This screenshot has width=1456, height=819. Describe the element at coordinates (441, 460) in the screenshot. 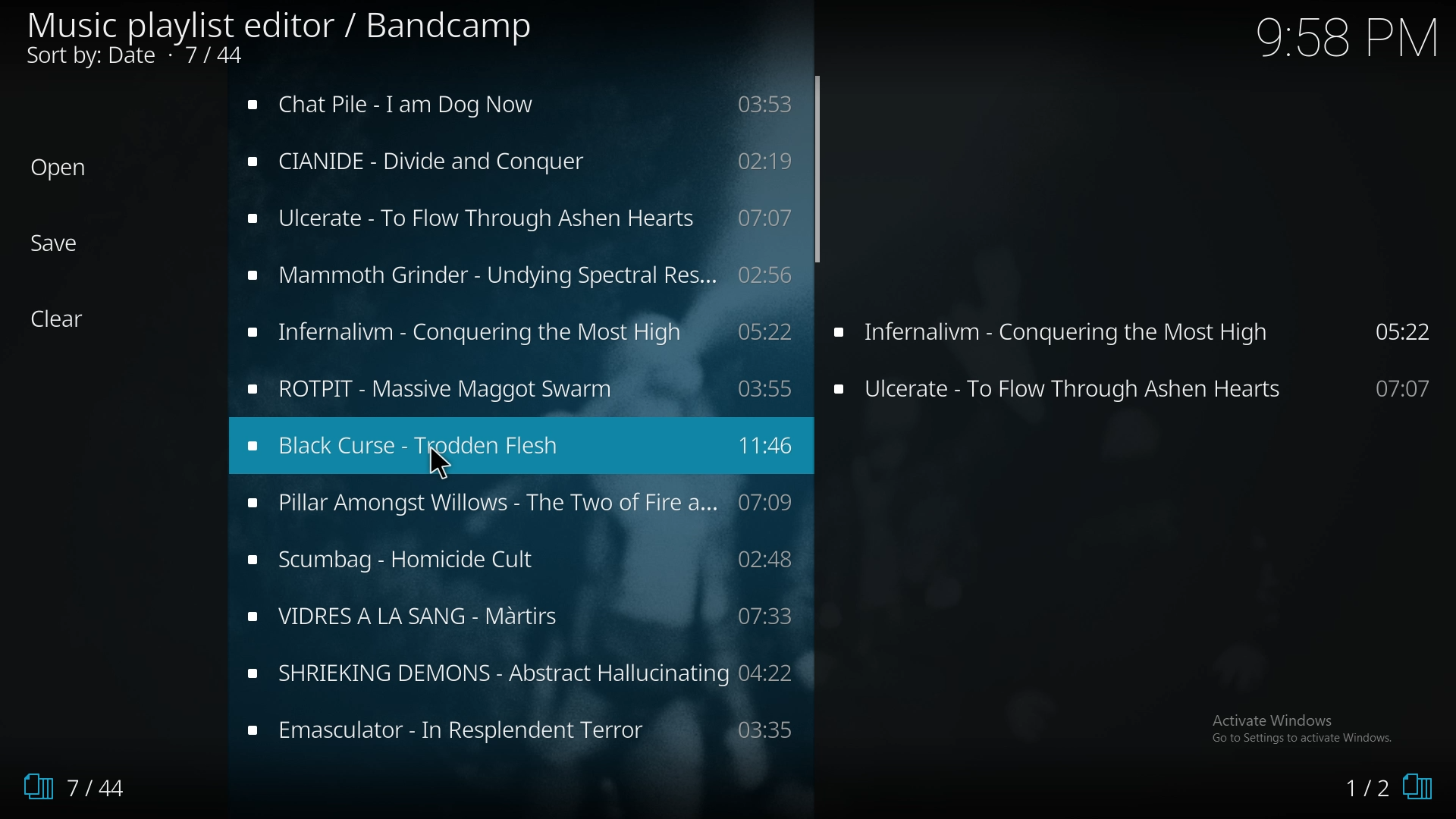

I see `Pointer Cursor` at that location.